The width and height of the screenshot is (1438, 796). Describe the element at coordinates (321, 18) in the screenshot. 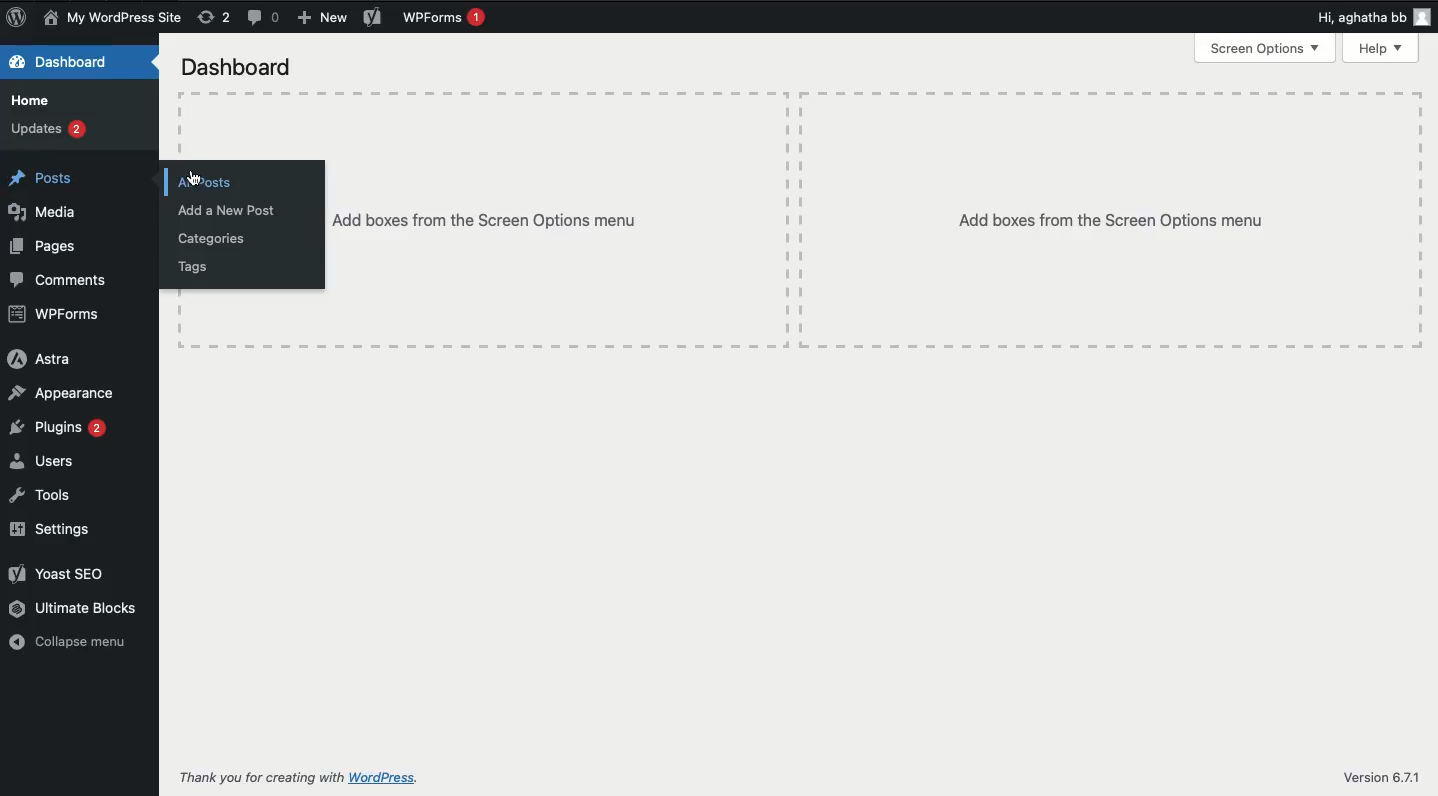

I see `Add new` at that location.